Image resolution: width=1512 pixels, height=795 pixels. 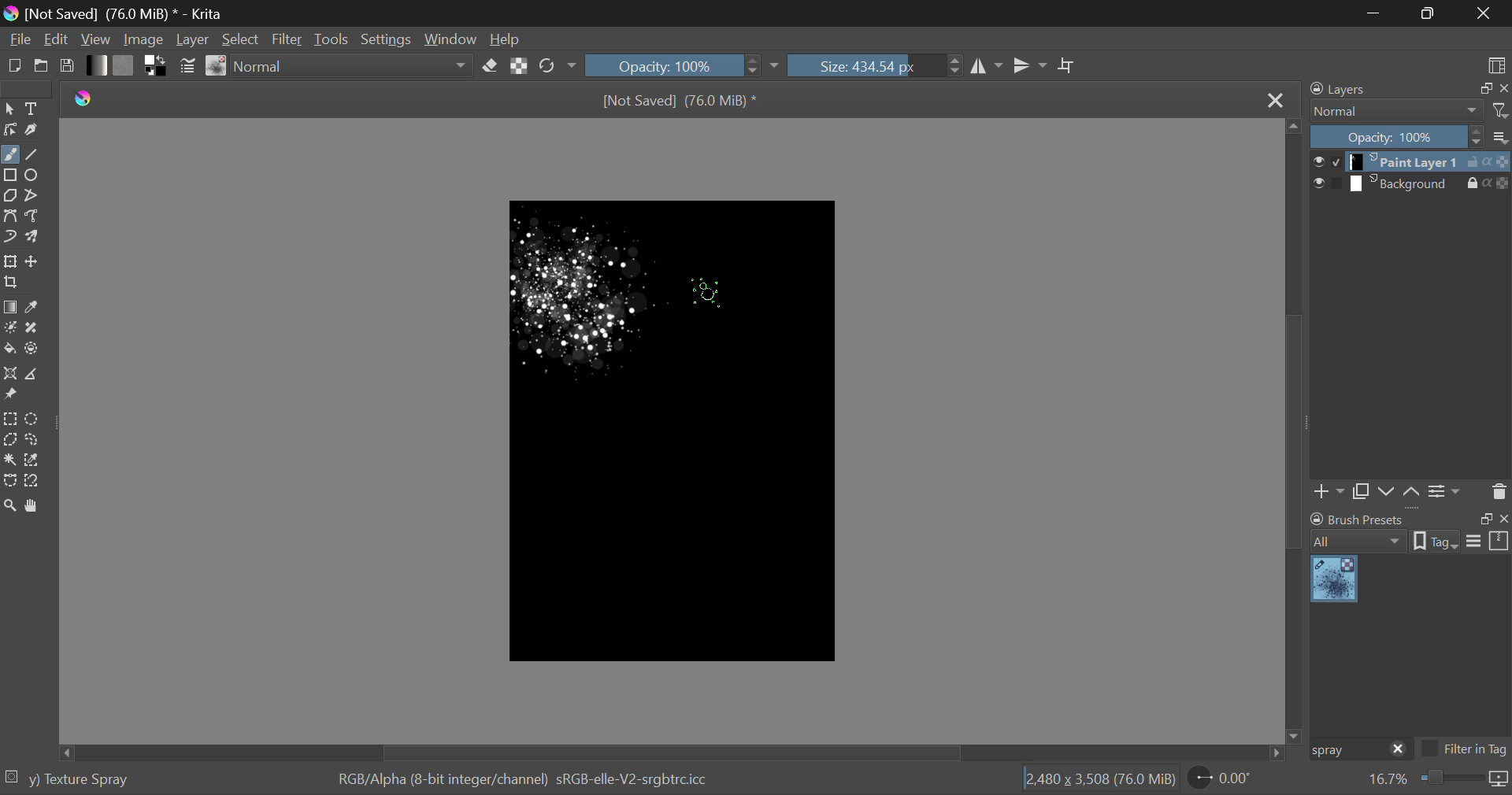 I want to click on Dynamic Brush, so click(x=9, y=235).